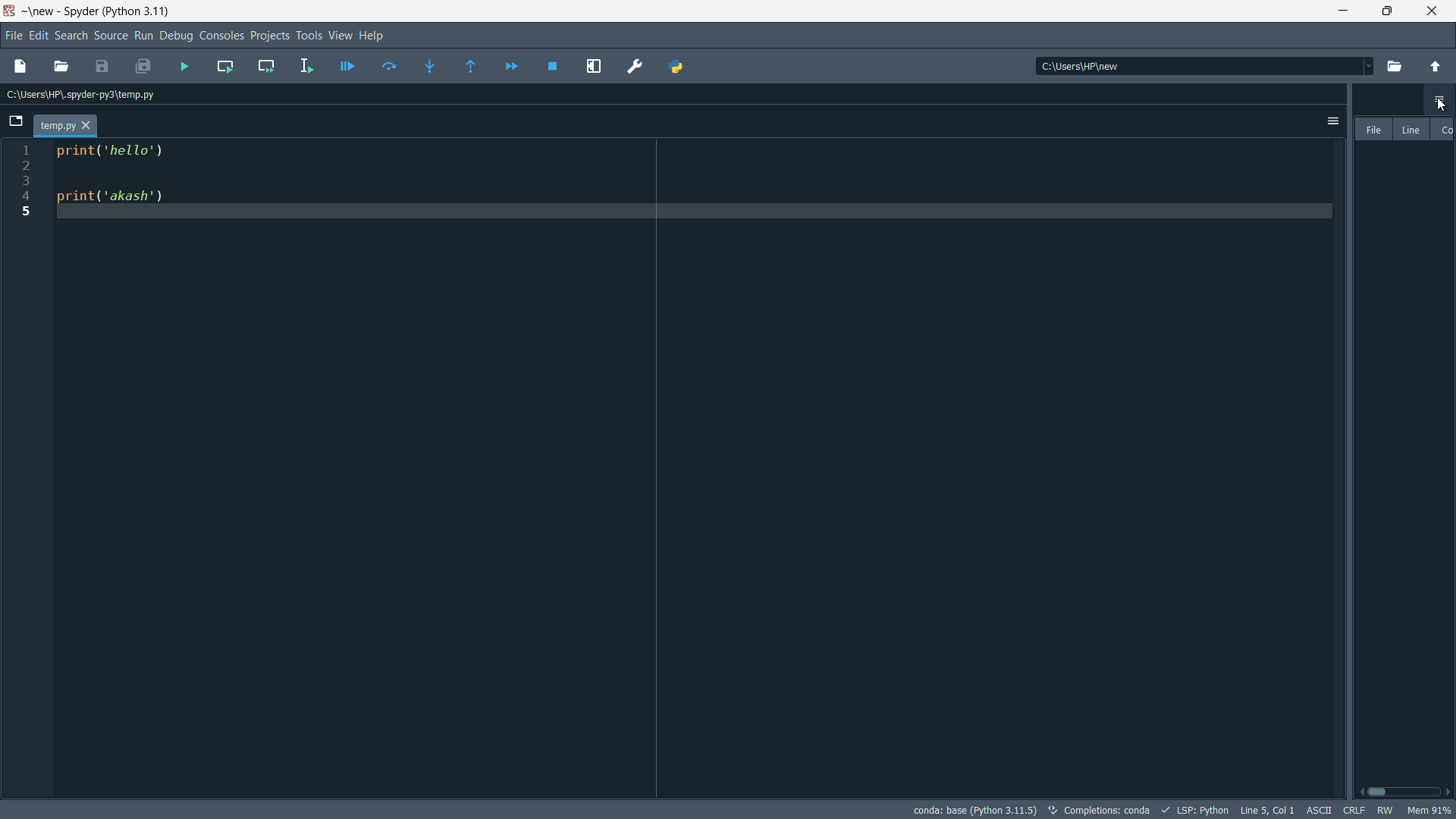 This screenshot has height=819, width=1456. I want to click on debug current line, so click(344, 66).